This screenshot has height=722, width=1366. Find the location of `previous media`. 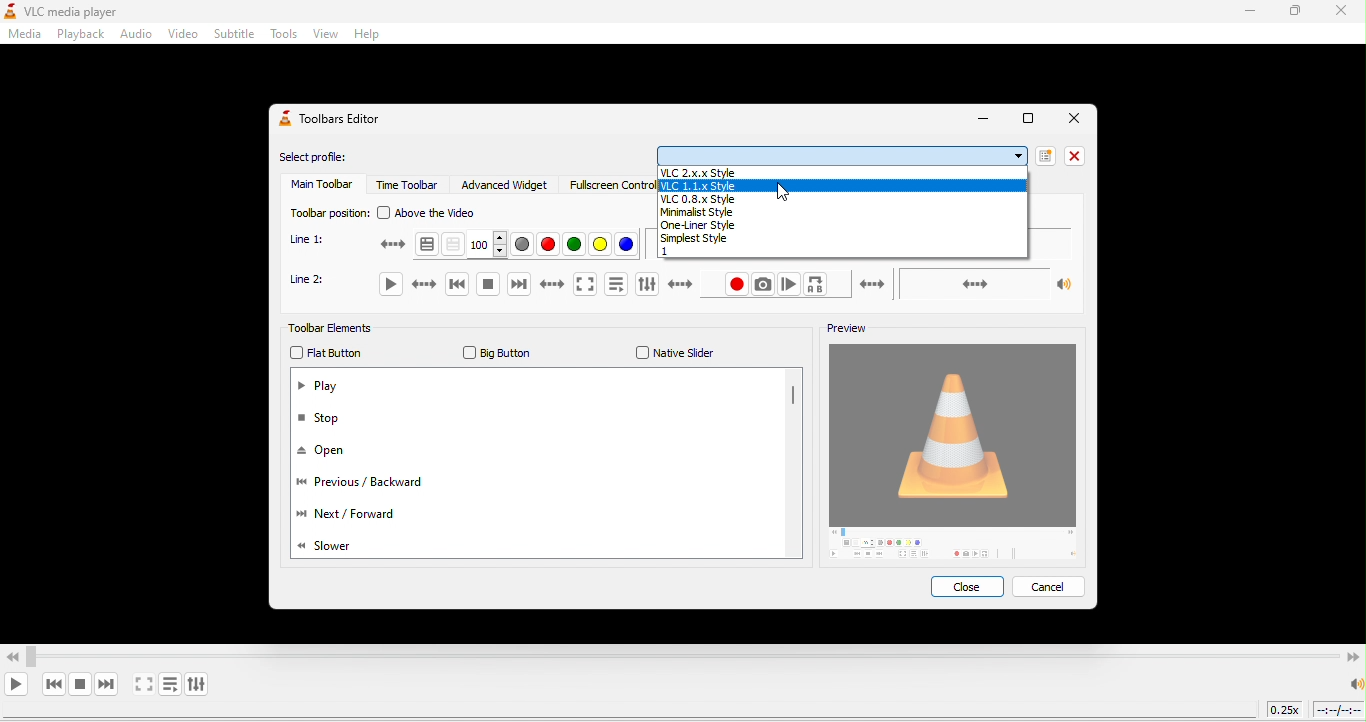

previous media is located at coordinates (53, 684).